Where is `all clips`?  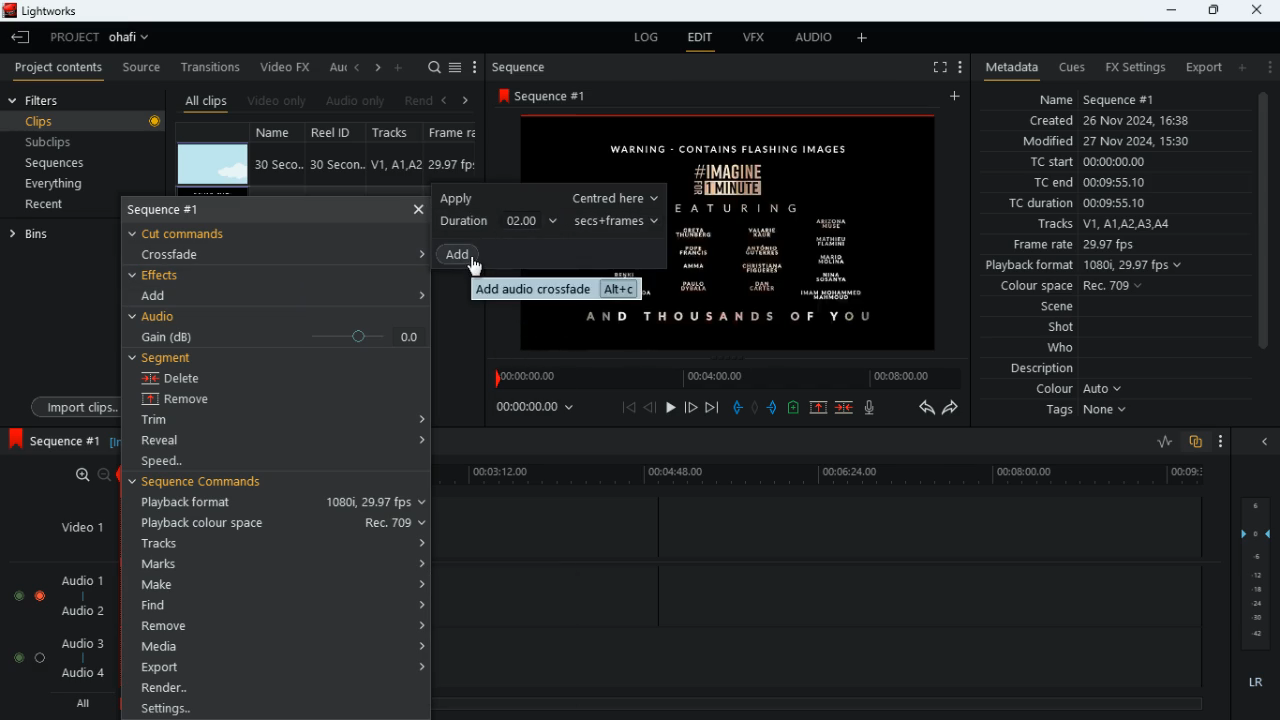 all clips is located at coordinates (206, 101).